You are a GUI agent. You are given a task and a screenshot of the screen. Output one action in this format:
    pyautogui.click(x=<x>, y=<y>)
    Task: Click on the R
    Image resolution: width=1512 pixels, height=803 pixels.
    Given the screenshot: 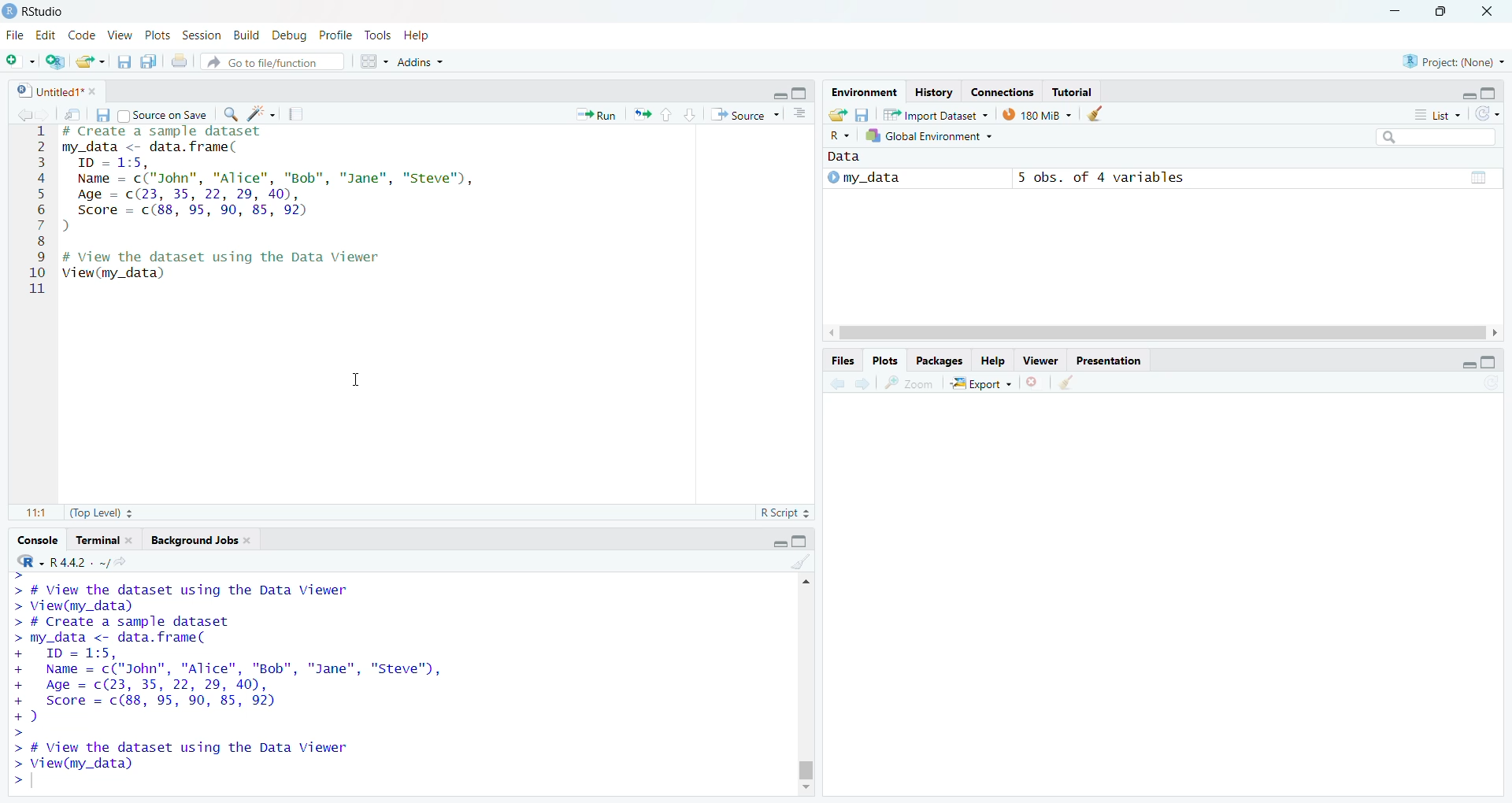 What is the action you would take?
    pyautogui.click(x=837, y=136)
    